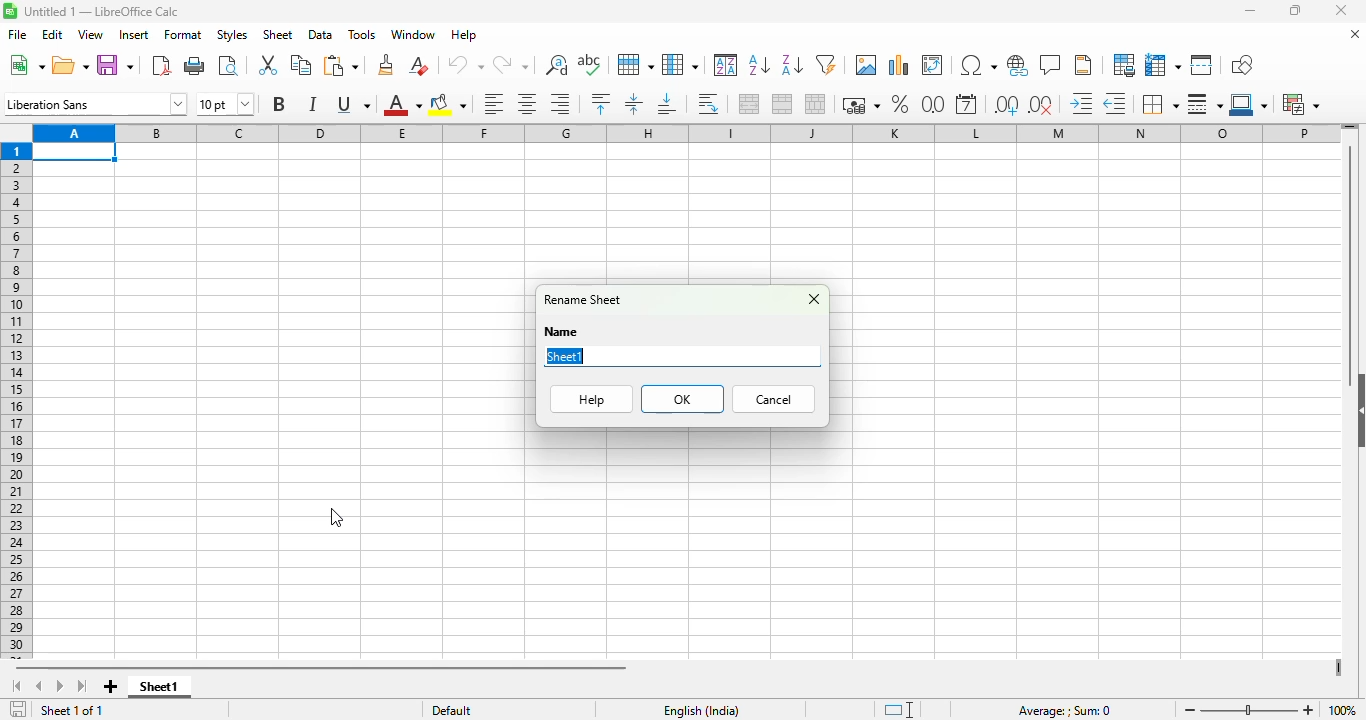  Describe the element at coordinates (897, 65) in the screenshot. I see `insert chart` at that location.